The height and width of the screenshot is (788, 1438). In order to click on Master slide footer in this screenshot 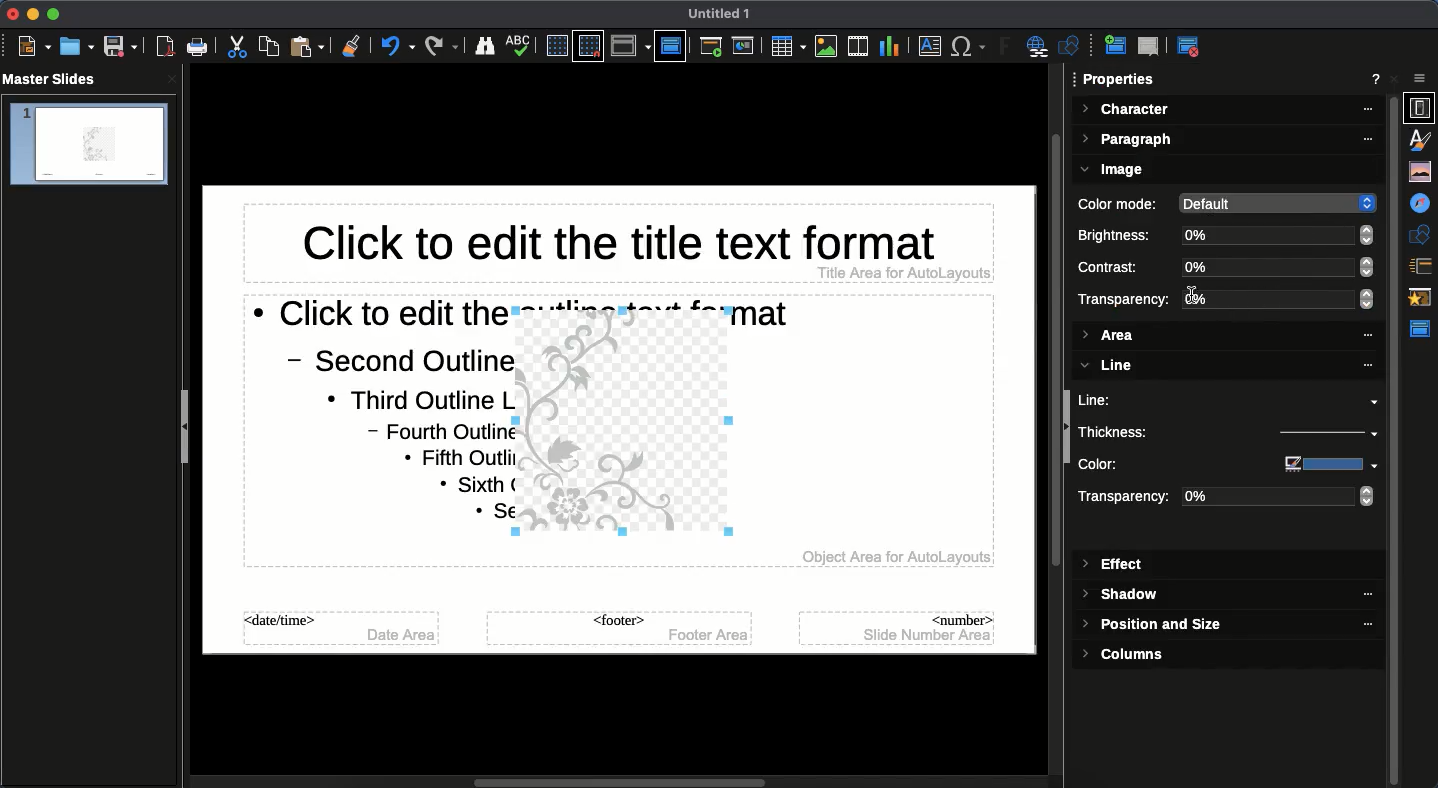, I will do `click(617, 629)`.